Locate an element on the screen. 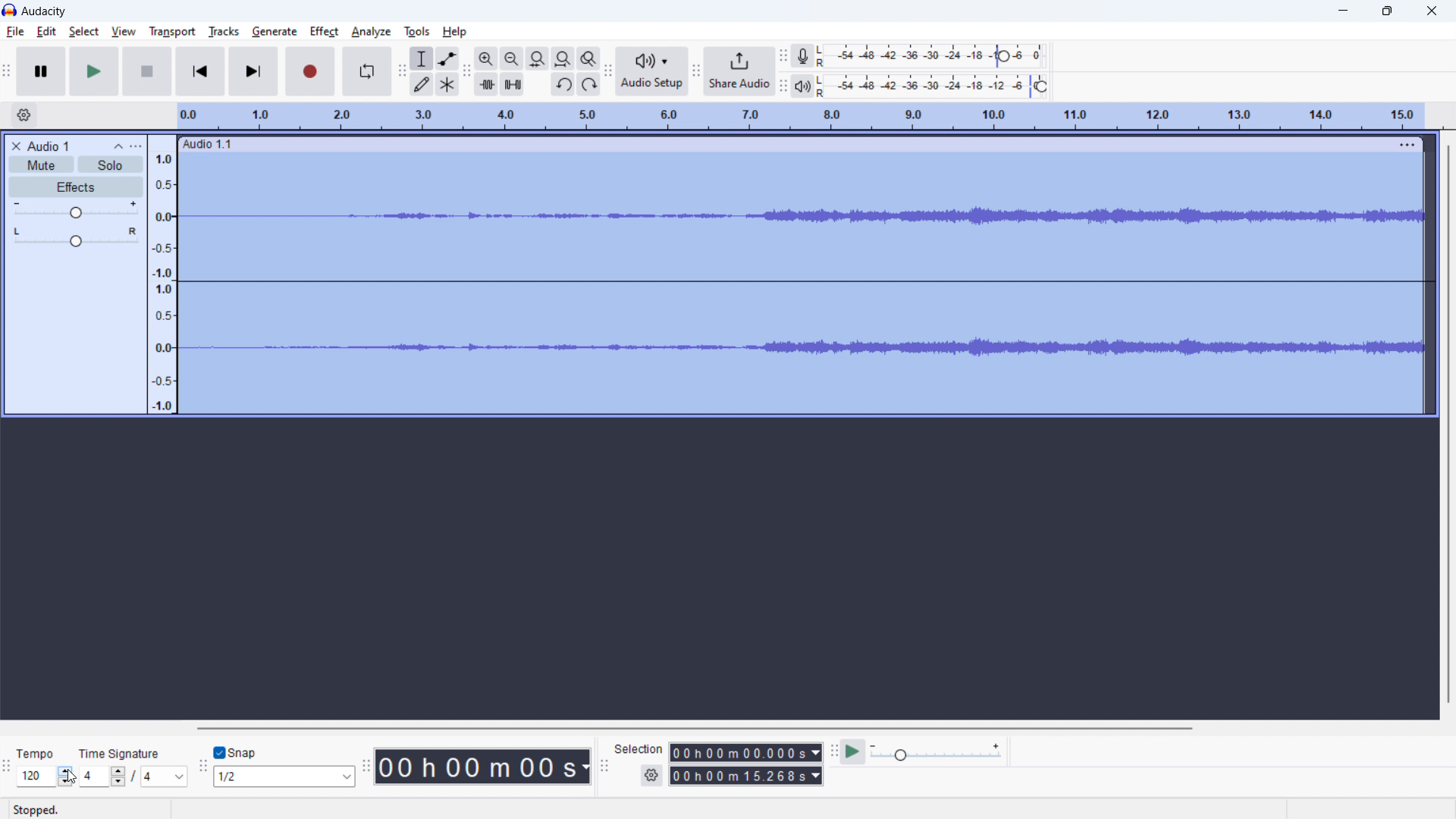 Image resolution: width=1456 pixels, height=819 pixels. pause is located at coordinates (147, 71).